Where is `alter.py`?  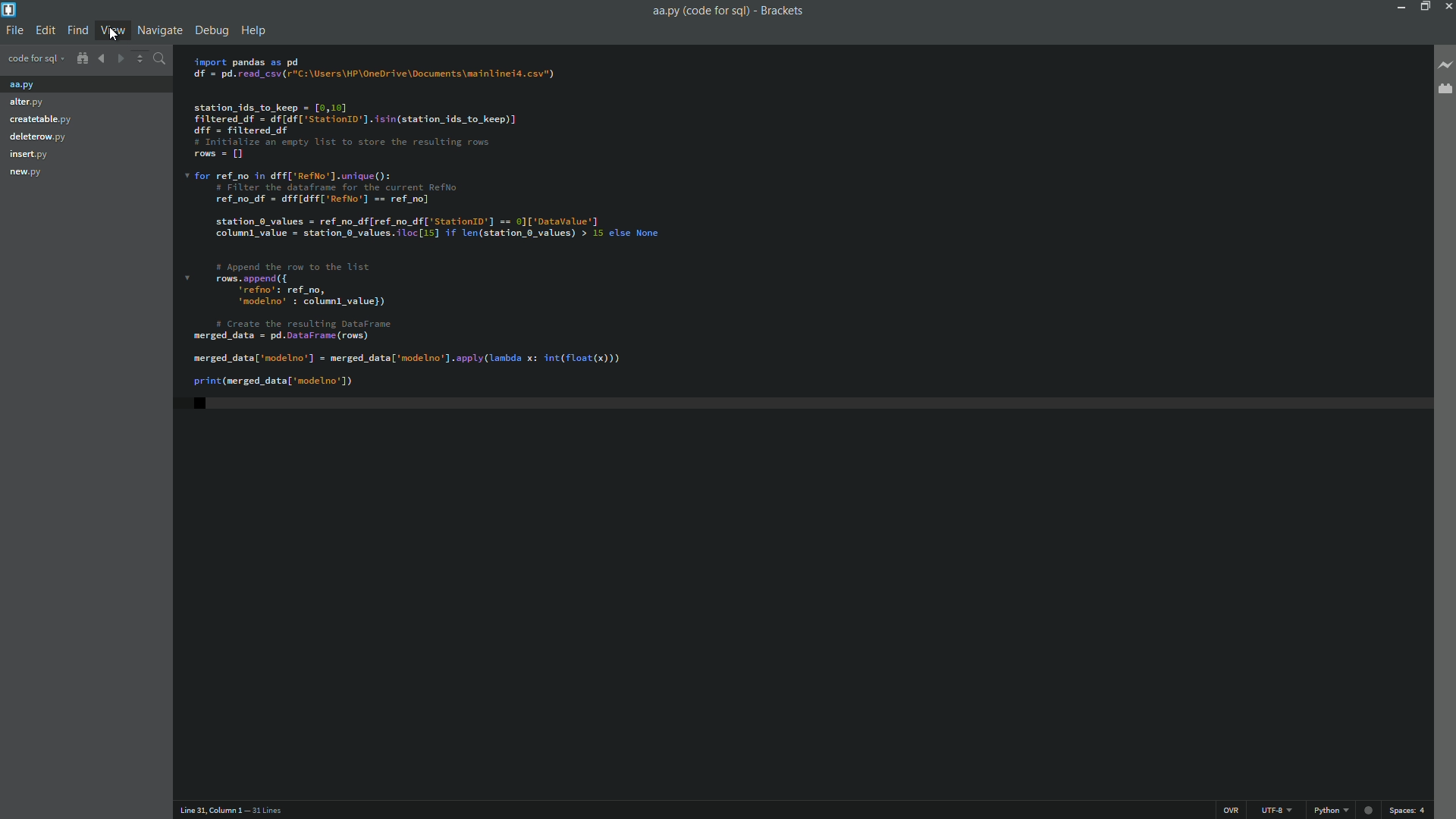
alter.py is located at coordinates (26, 103).